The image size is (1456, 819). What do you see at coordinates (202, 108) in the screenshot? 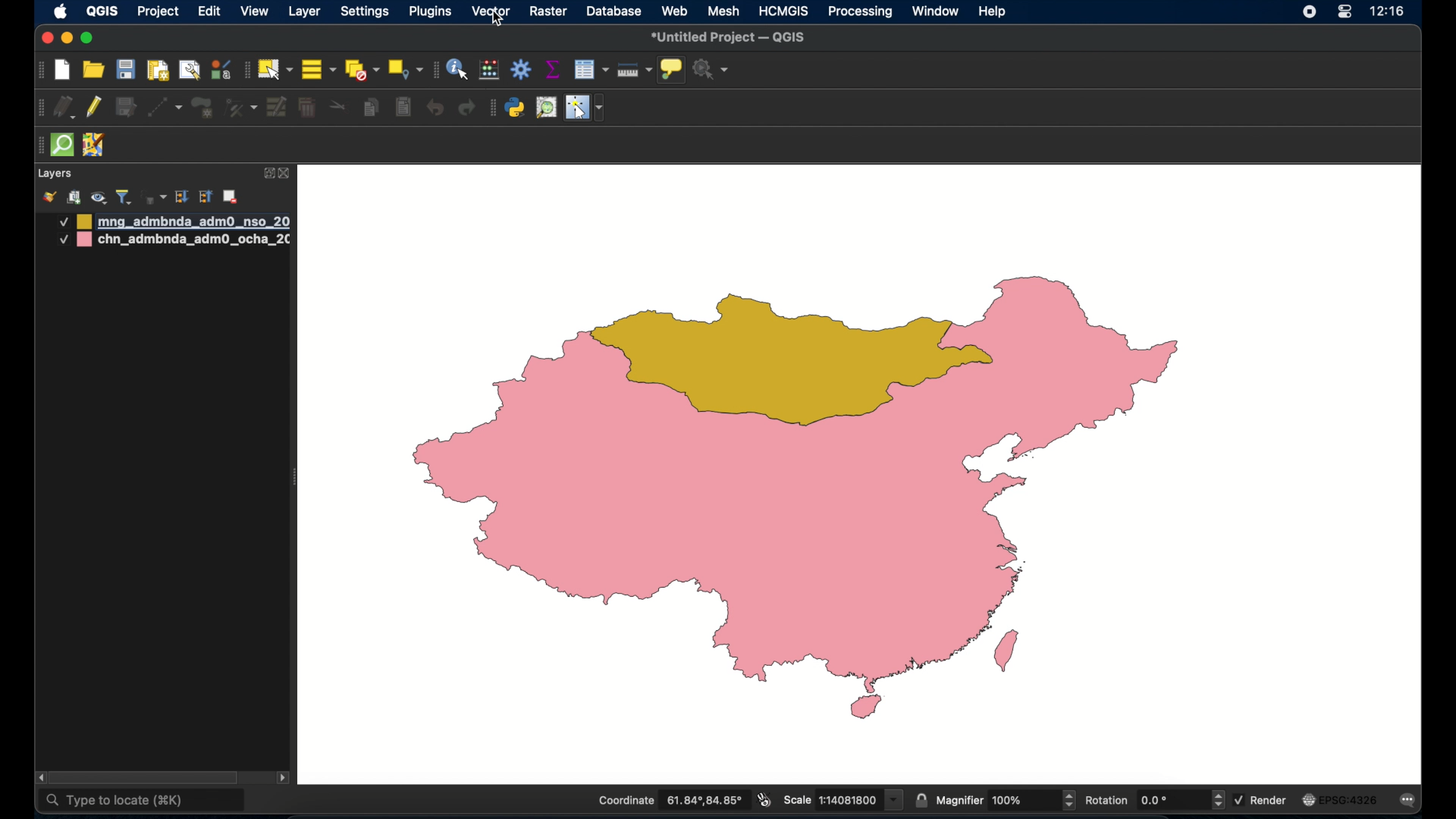
I see `add polygon feature` at bounding box center [202, 108].